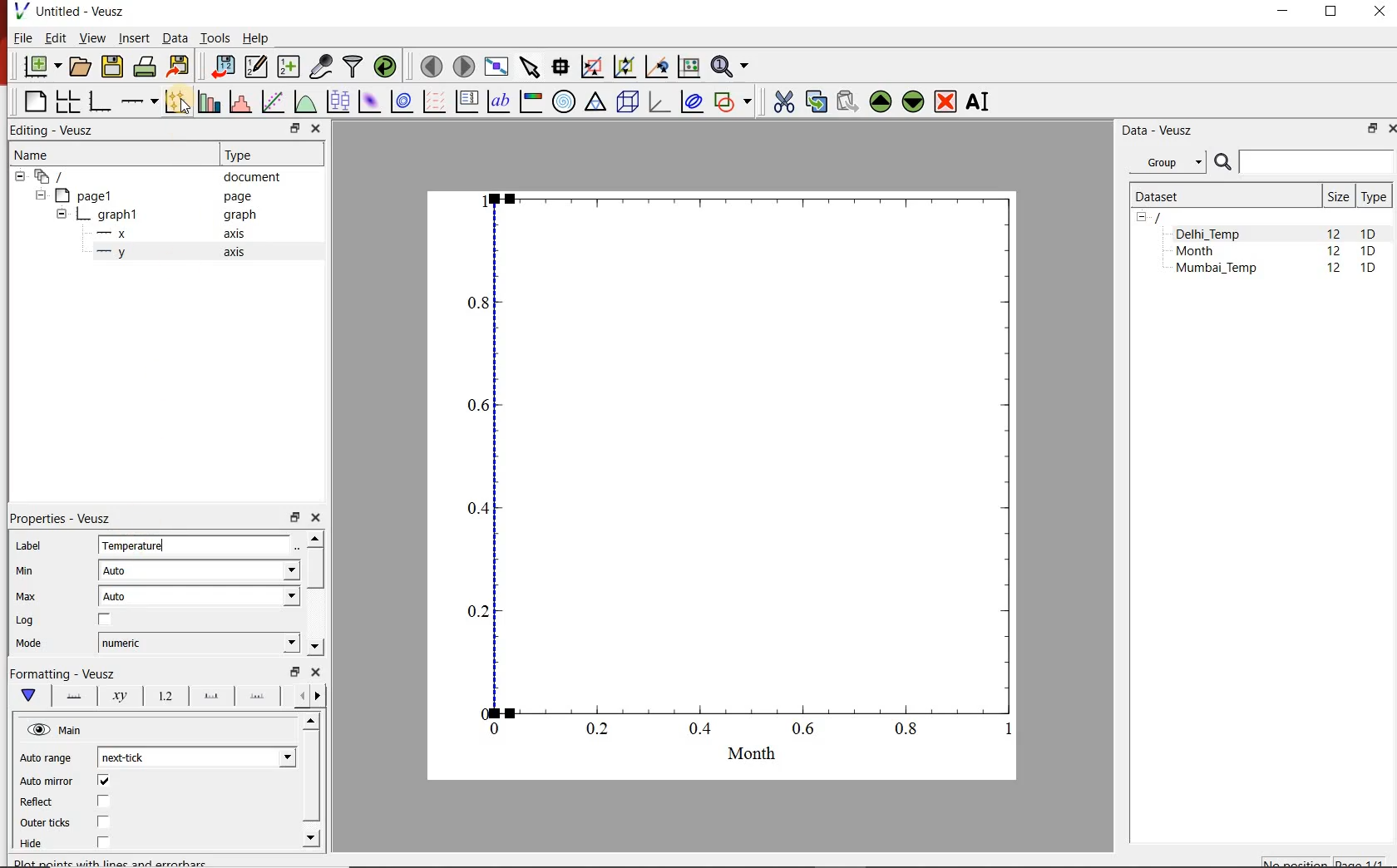 The width and height of the screenshot is (1397, 868). What do you see at coordinates (464, 67) in the screenshot?
I see `move to the next page` at bounding box center [464, 67].